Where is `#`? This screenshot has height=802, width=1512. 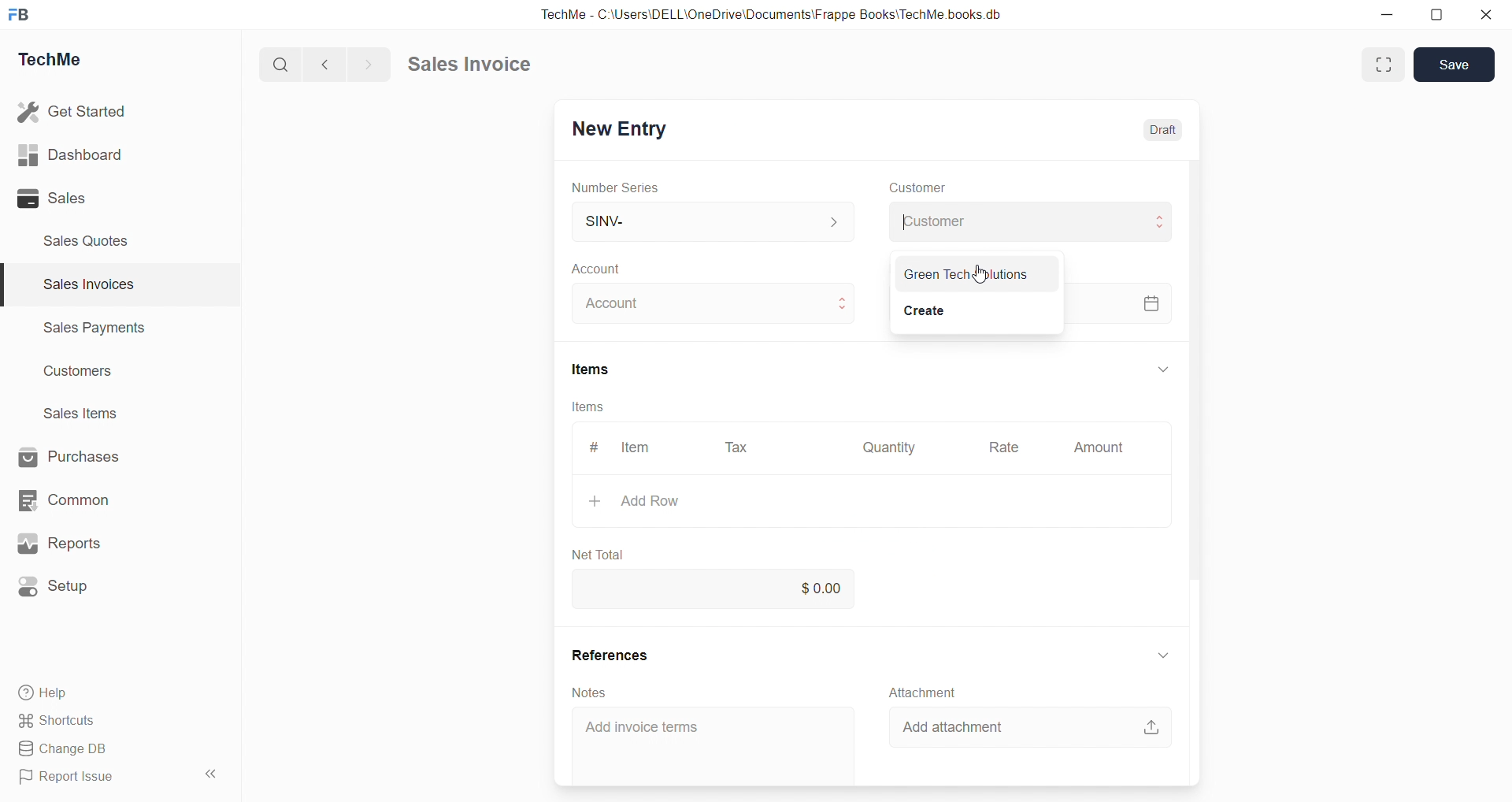 # is located at coordinates (595, 447).